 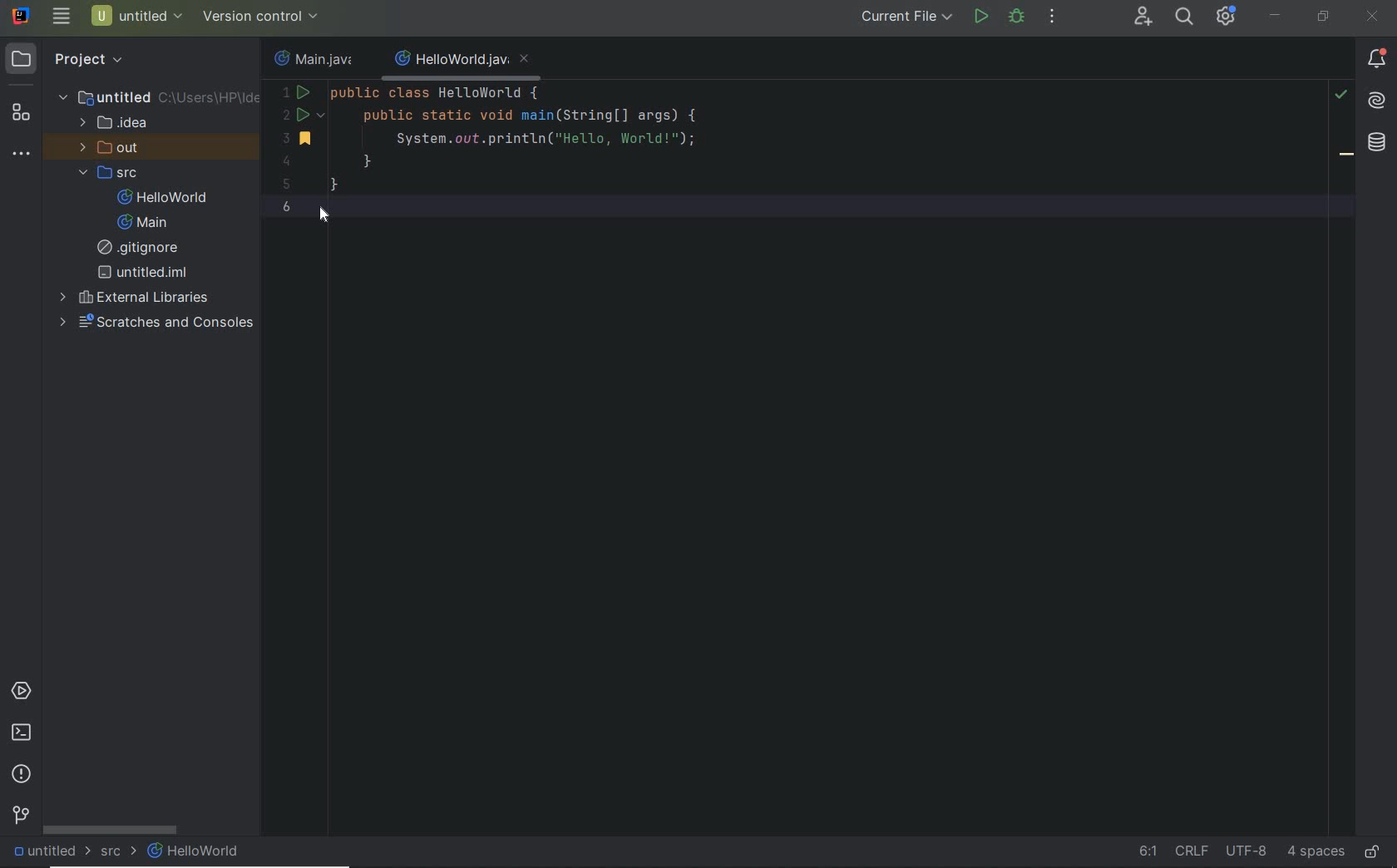 I want to click on untitled, so click(x=48, y=852).